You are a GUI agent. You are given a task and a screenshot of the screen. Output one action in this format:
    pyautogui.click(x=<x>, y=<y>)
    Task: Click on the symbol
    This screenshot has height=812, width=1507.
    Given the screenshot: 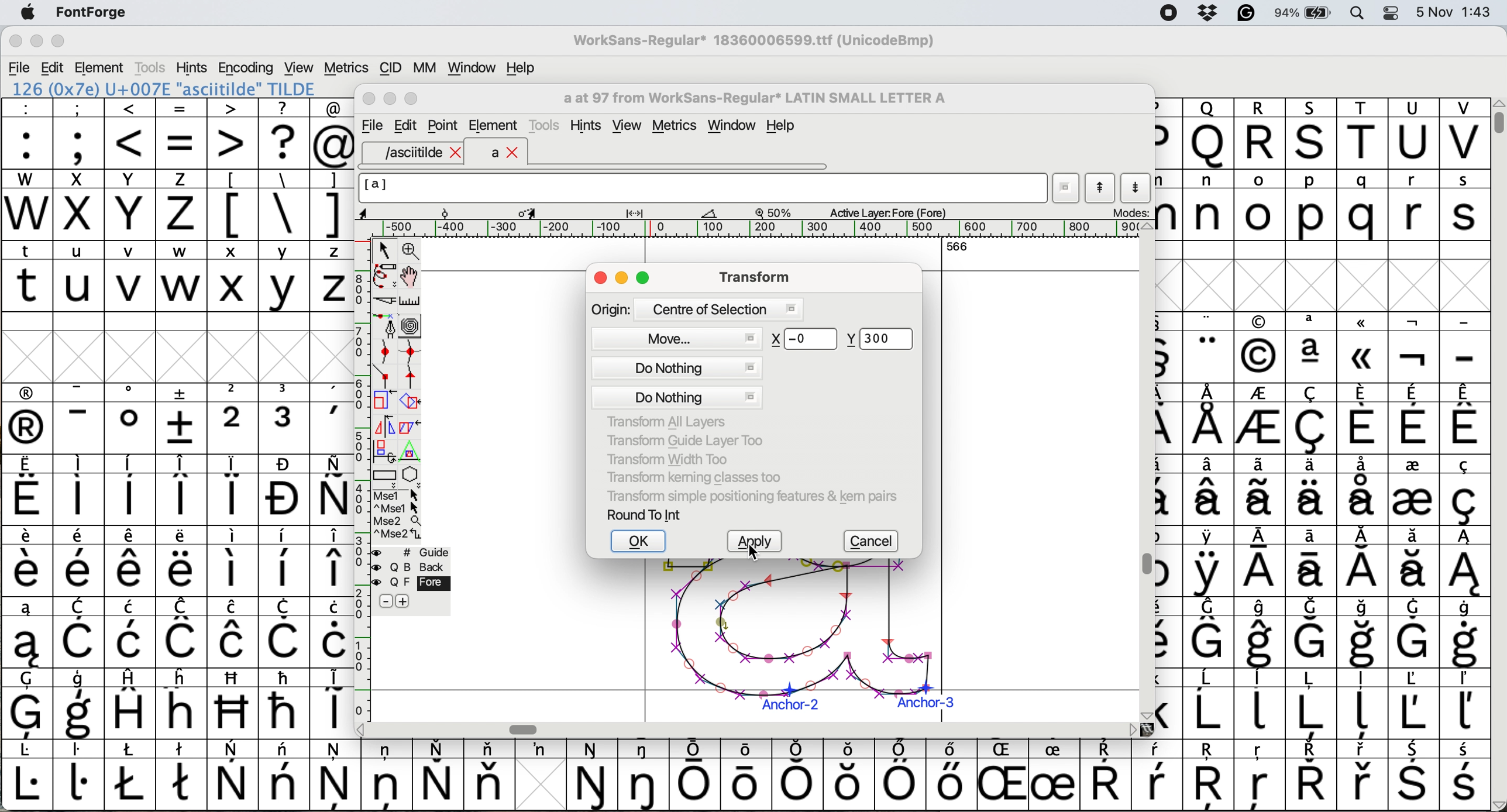 What is the action you would take?
    pyautogui.click(x=540, y=749)
    